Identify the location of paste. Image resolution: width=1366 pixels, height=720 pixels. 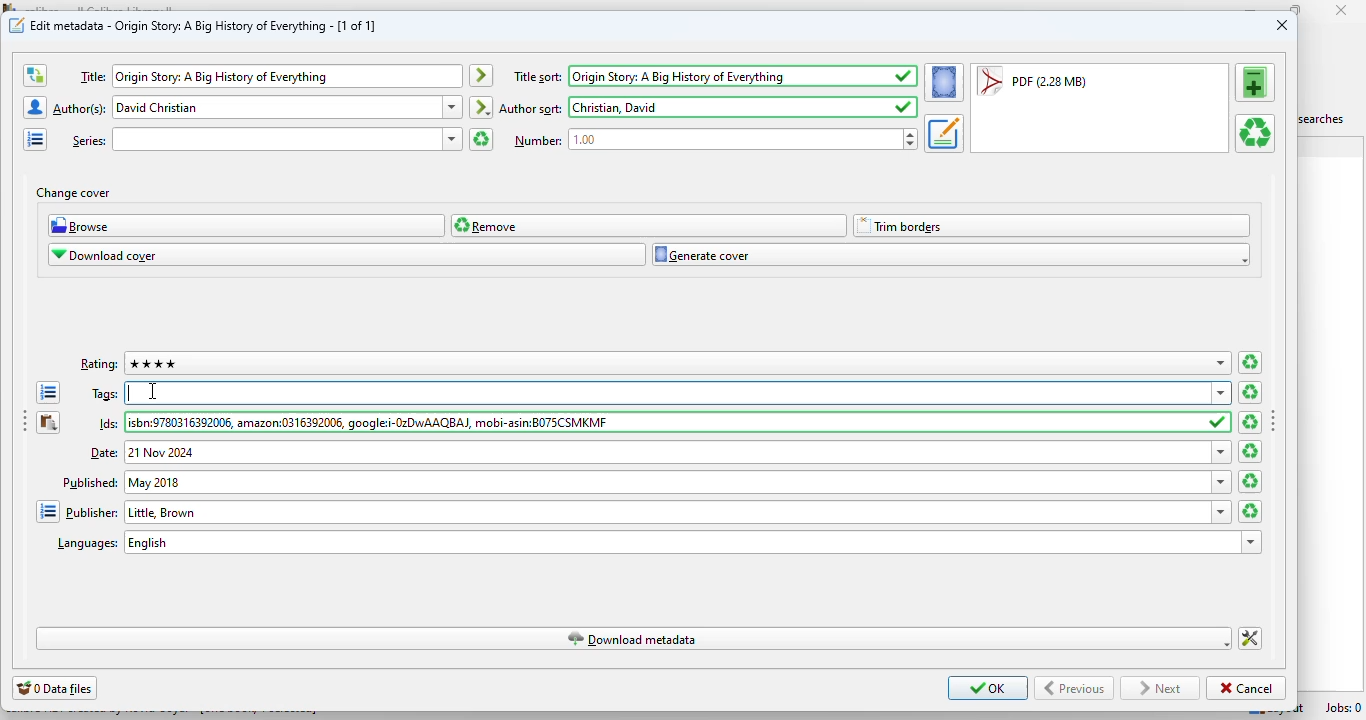
(47, 422).